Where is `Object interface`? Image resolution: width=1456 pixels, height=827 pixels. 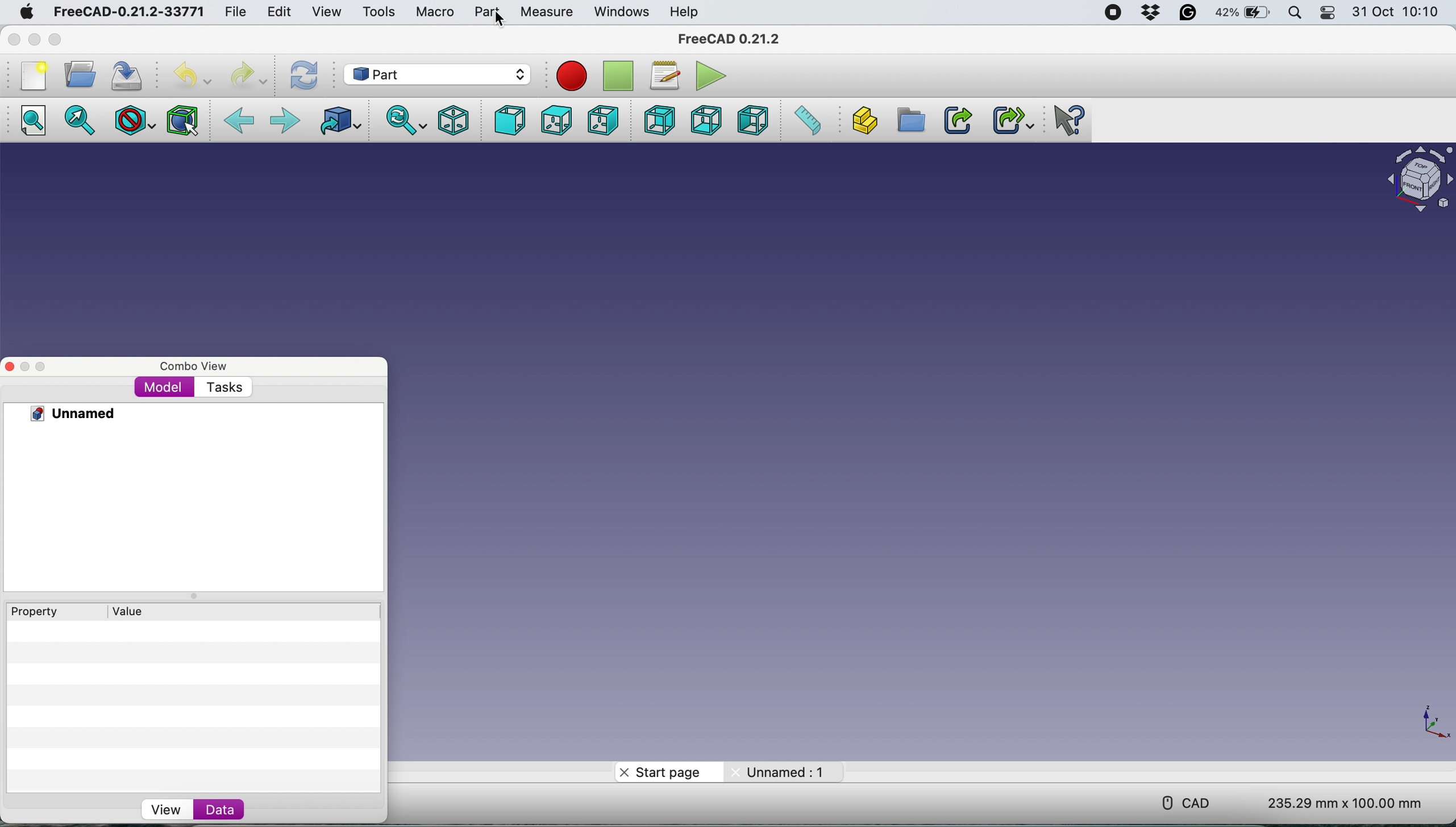
Object interface is located at coordinates (1418, 183).